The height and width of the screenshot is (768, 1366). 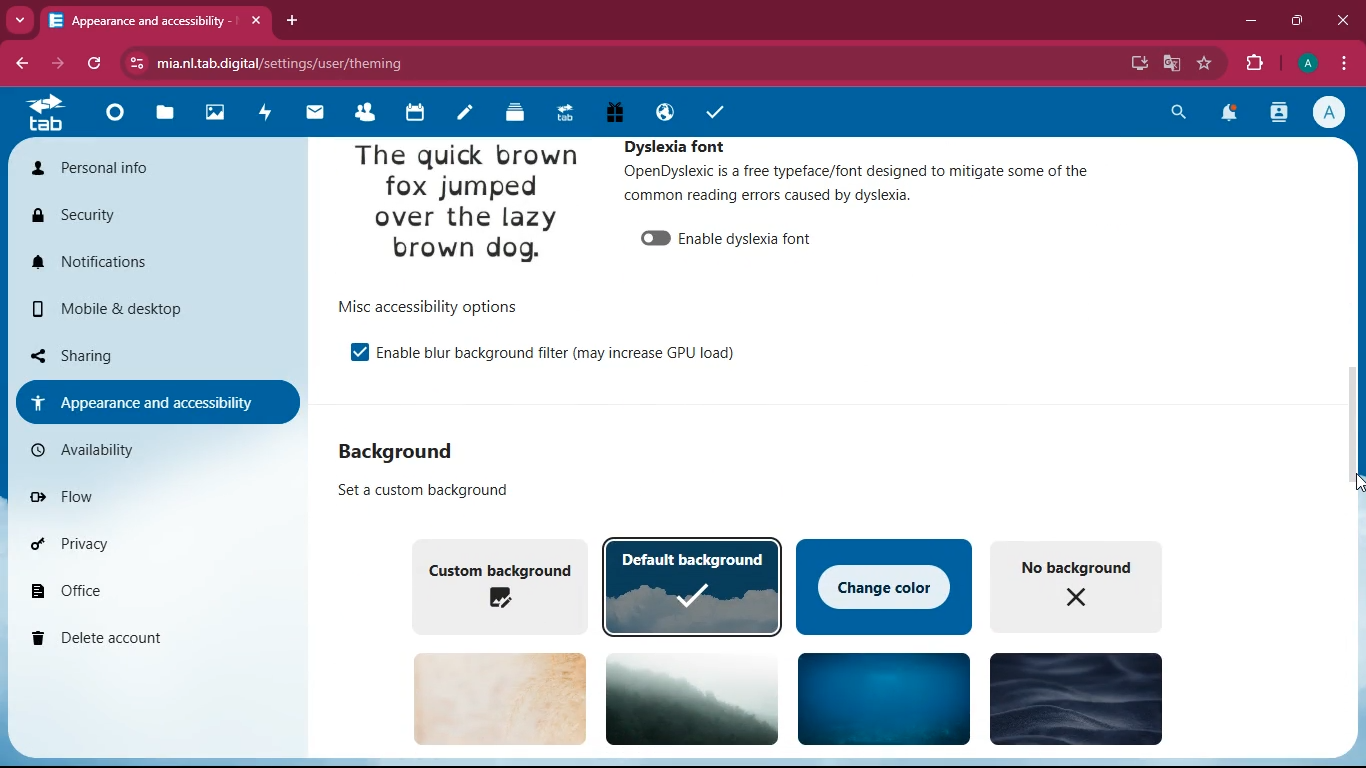 I want to click on notifications, so click(x=1228, y=116).